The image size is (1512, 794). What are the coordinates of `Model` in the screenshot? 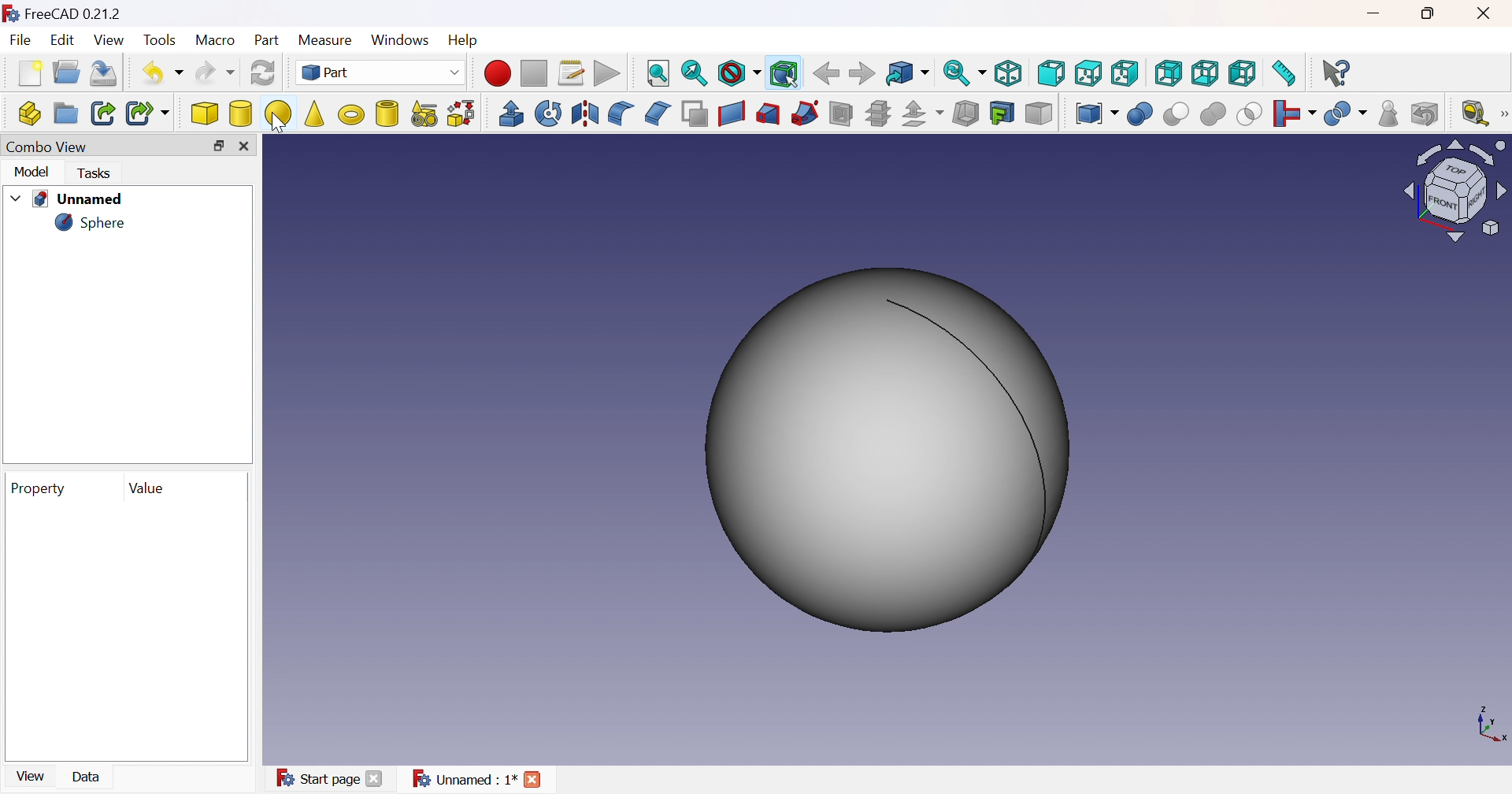 It's located at (32, 172).